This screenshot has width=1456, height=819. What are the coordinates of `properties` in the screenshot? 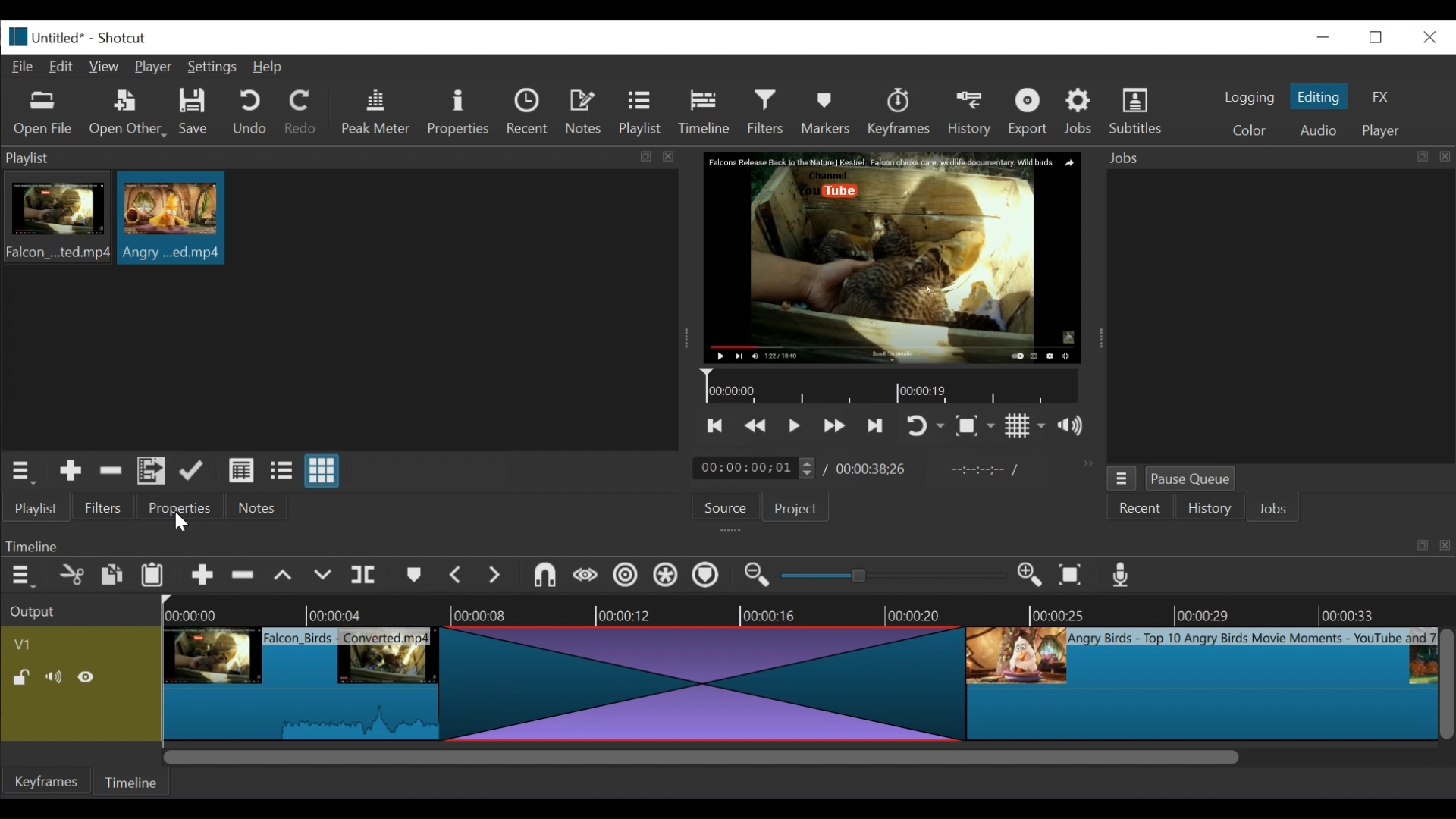 It's located at (181, 508).